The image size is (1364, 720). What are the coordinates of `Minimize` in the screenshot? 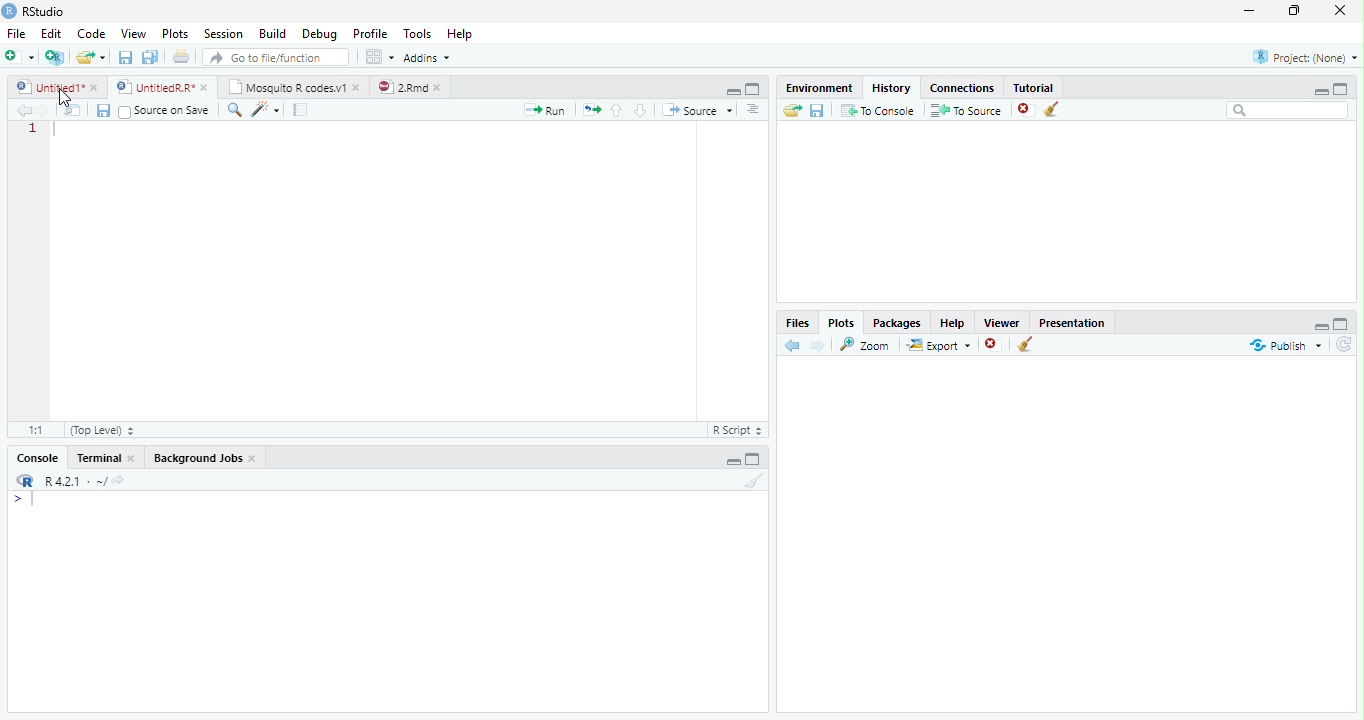 It's located at (1253, 12).